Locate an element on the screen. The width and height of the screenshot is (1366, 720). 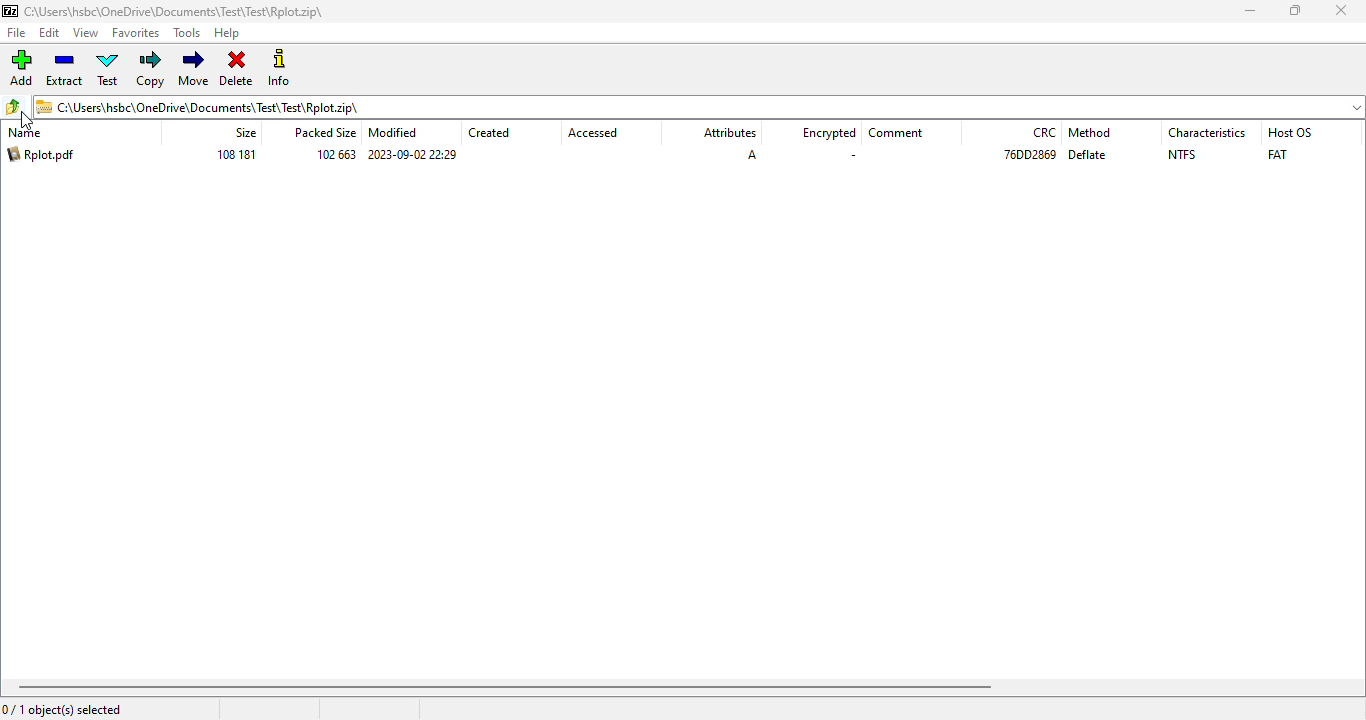
packed size is located at coordinates (325, 133).